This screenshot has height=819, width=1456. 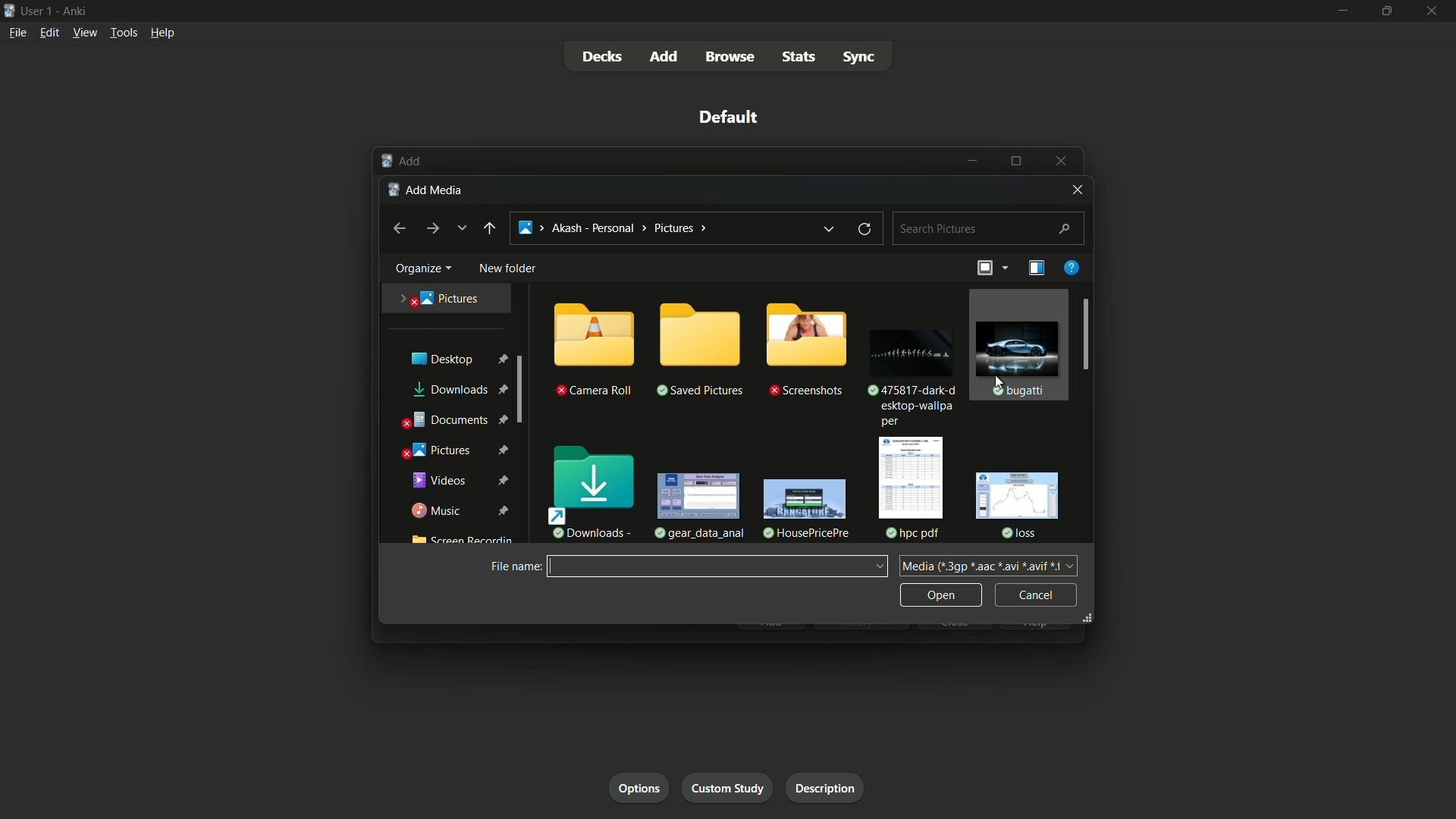 What do you see at coordinates (460, 511) in the screenshot?
I see `music` at bounding box center [460, 511].